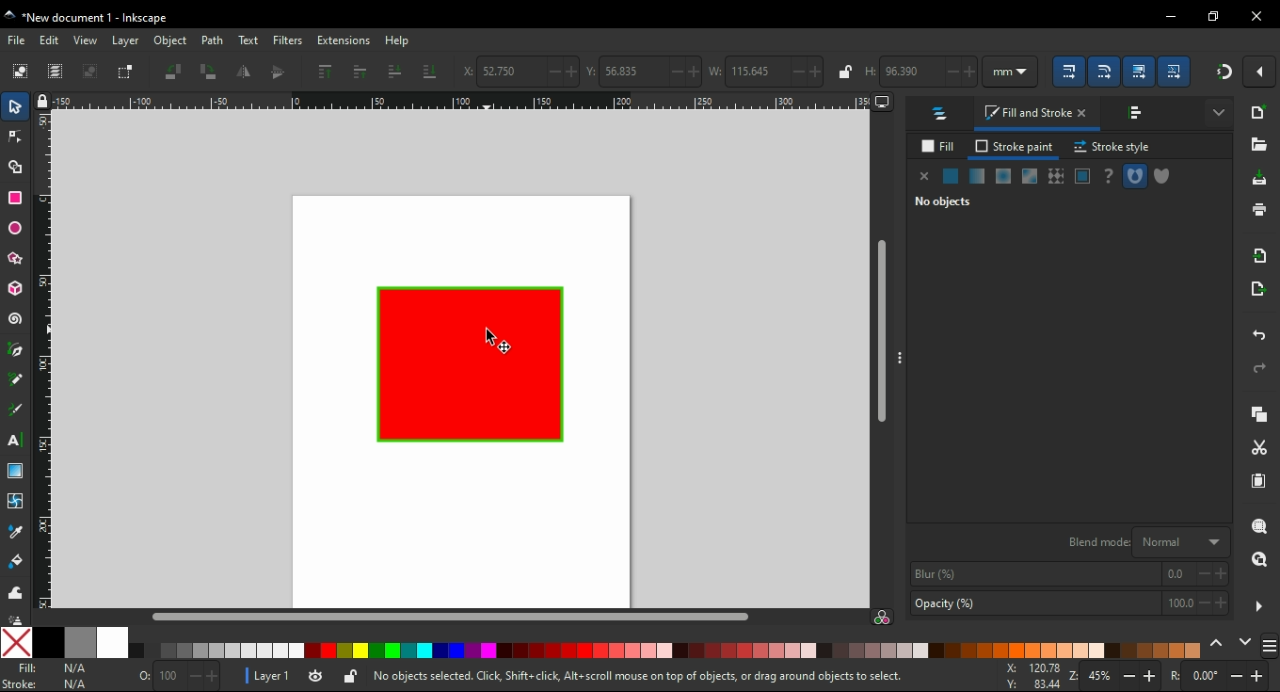  What do you see at coordinates (1083, 177) in the screenshot?
I see `swatch` at bounding box center [1083, 177].